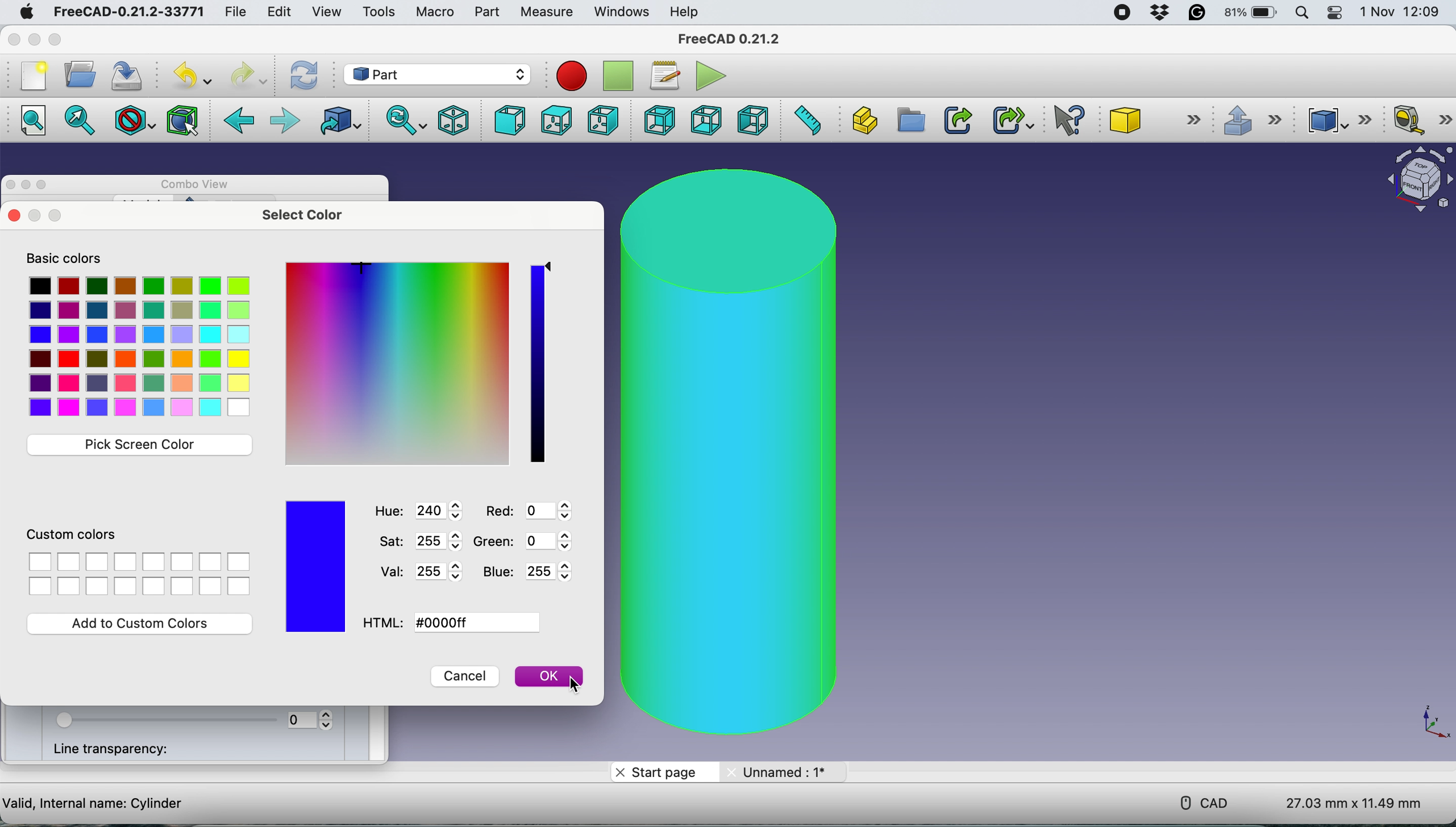  I want to click on right, so click(602, 120).